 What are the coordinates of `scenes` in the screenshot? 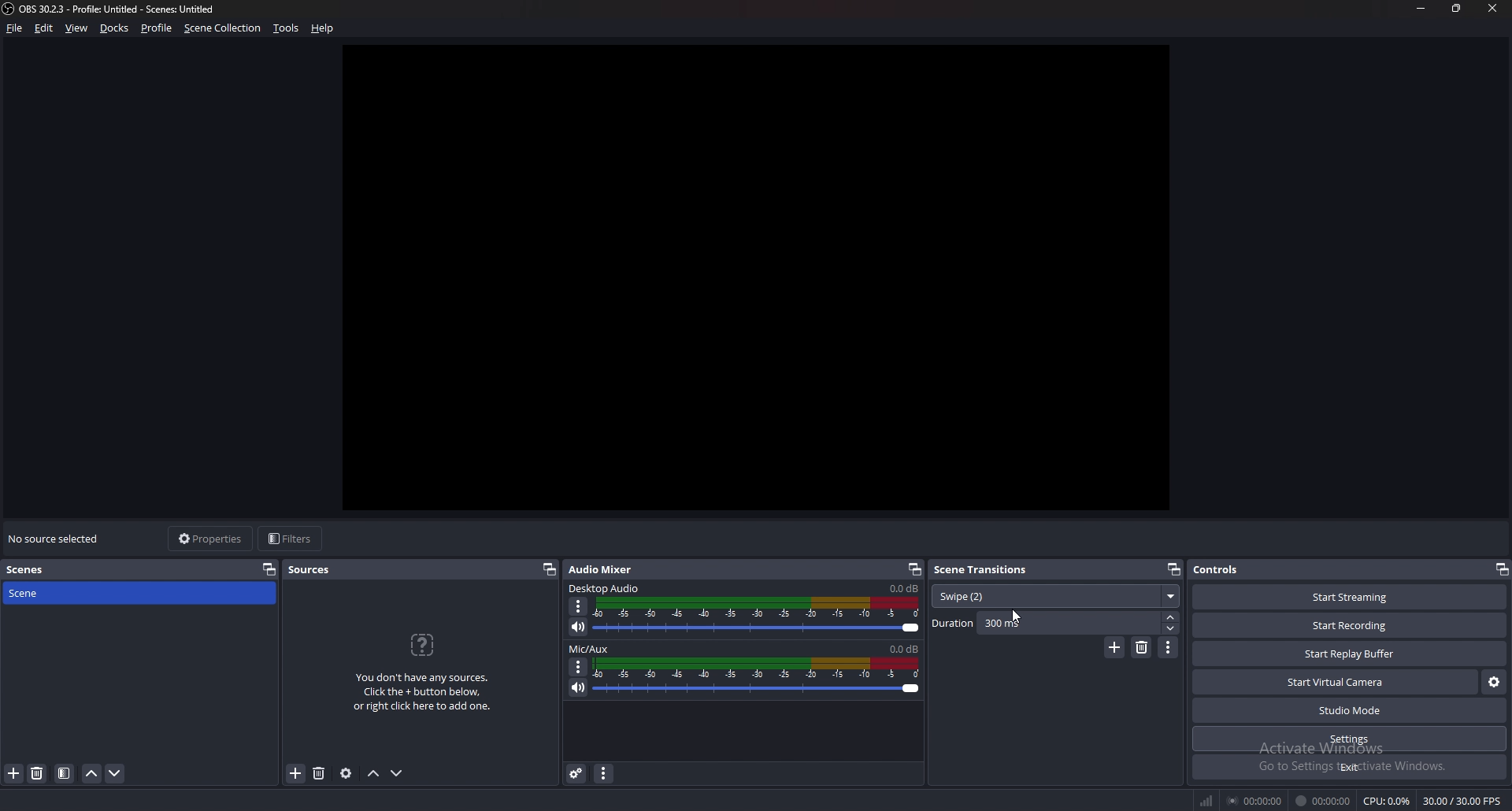 It's located at (39, 570).